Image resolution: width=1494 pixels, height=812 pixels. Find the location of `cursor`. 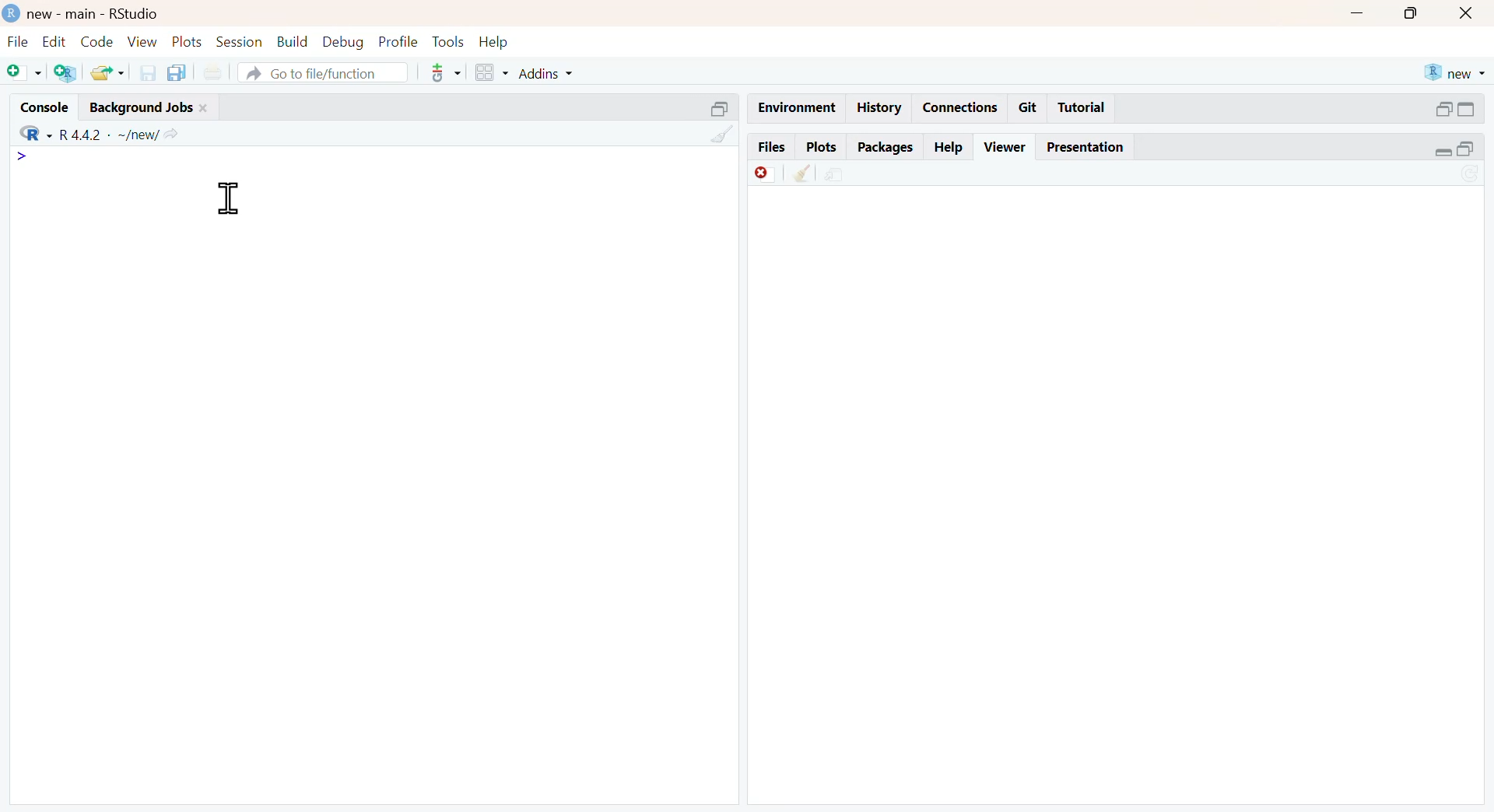

cursor is located at coordinates (228, 198).